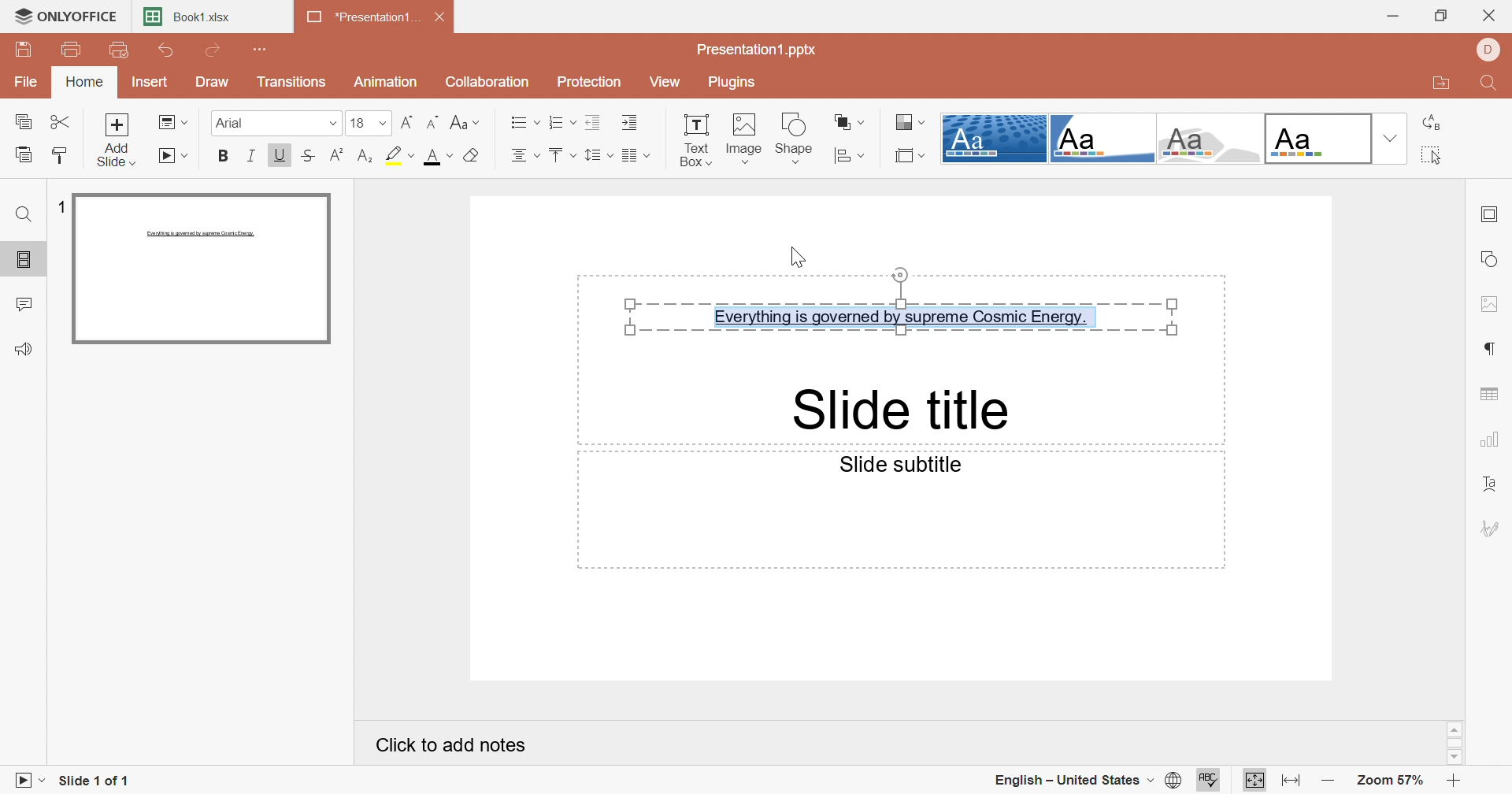  I want to click on Insert table, so click(1492, 395).